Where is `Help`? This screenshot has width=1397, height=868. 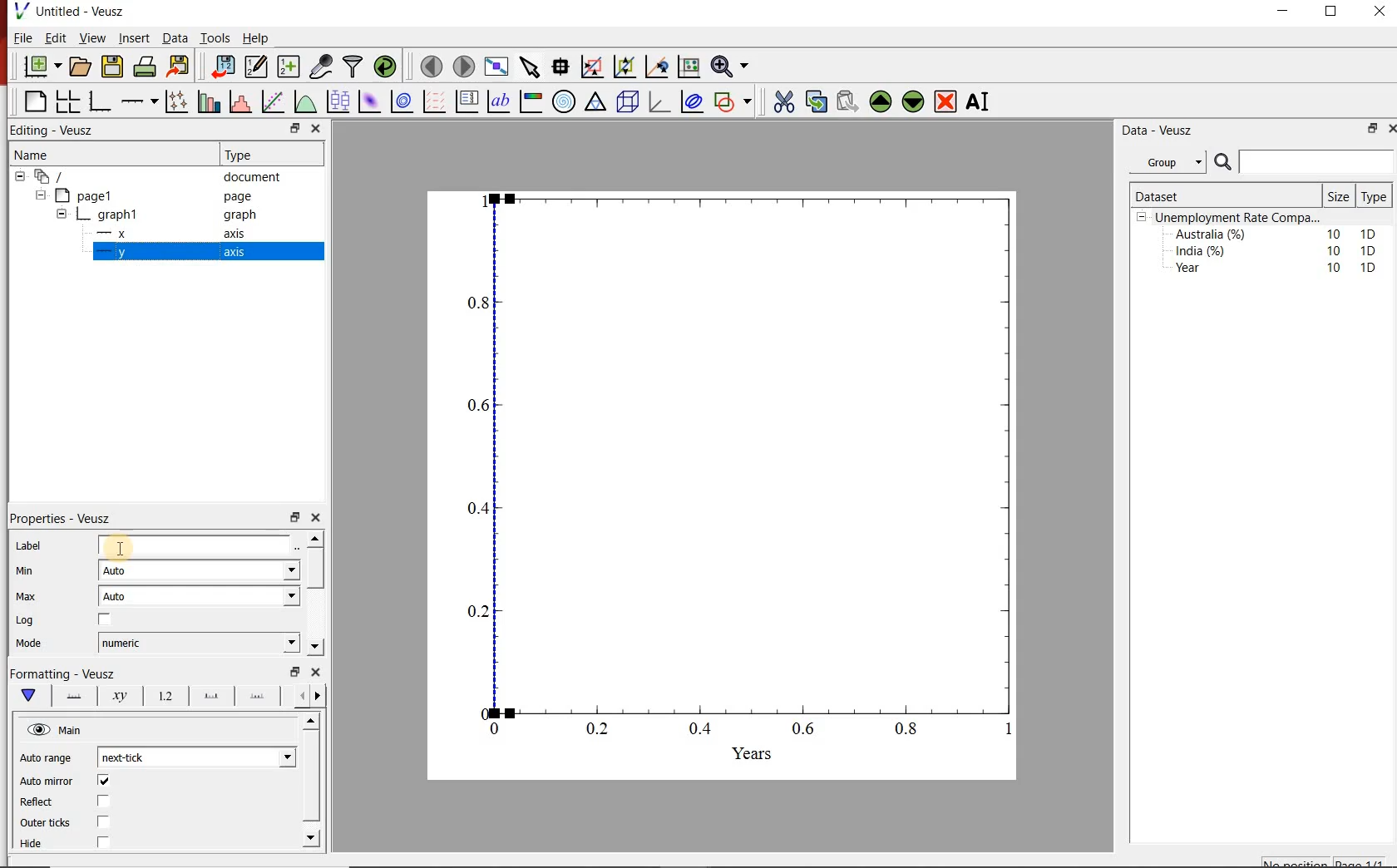 Help is located at coordinates (256, 38).